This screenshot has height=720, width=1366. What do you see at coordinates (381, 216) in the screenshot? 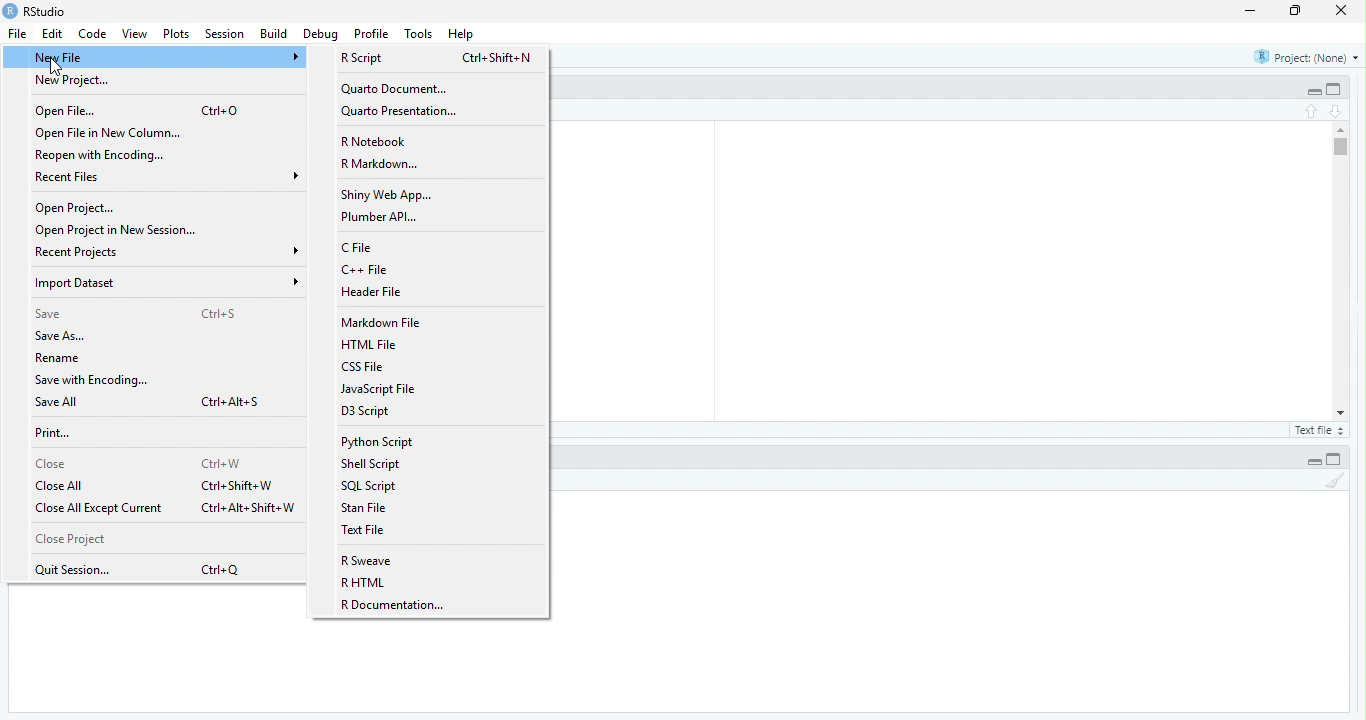
I see `Plumber API...` at bounding box center [381, 216].